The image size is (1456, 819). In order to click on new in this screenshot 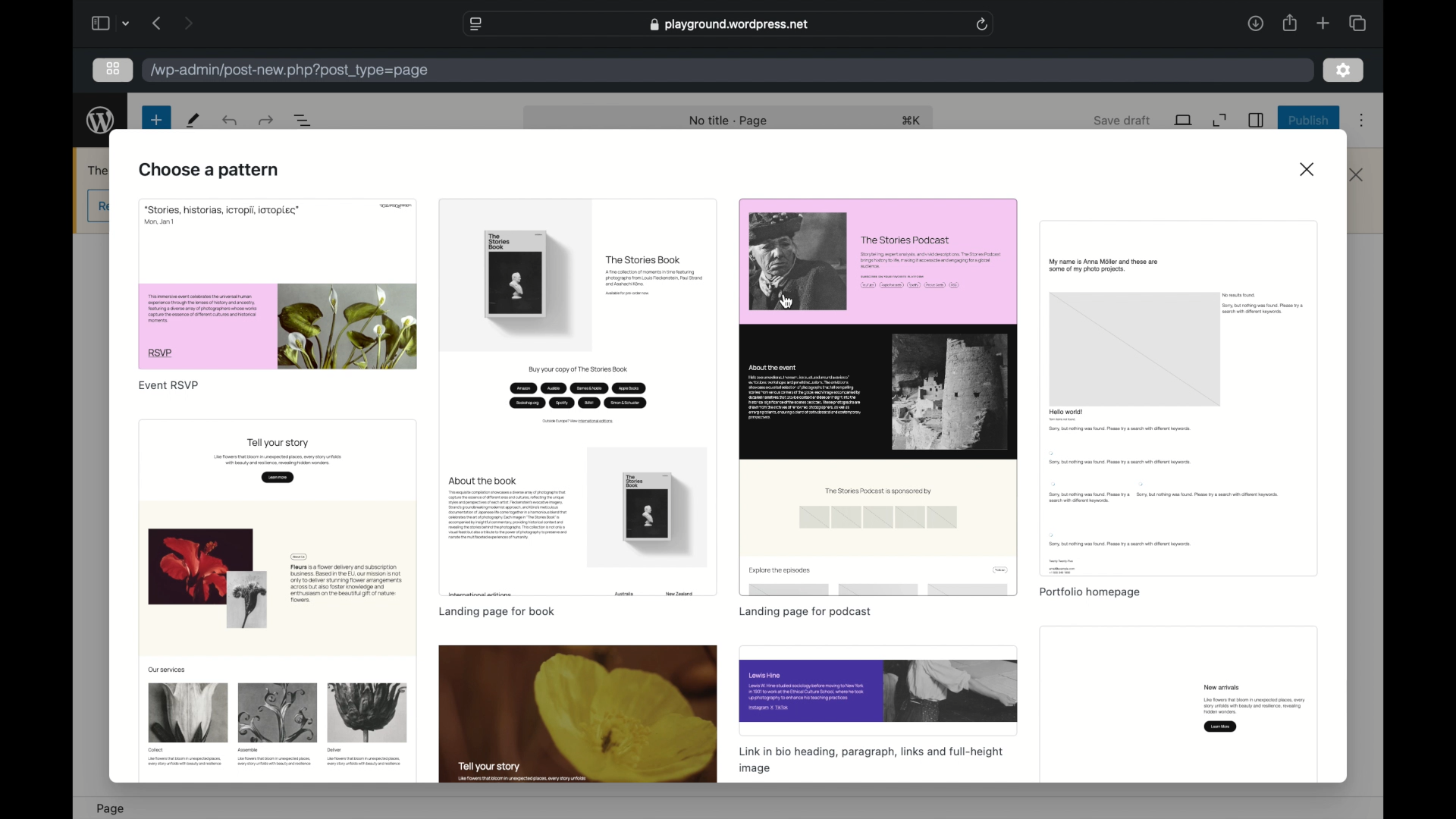, I will do `click(155, 119)`.